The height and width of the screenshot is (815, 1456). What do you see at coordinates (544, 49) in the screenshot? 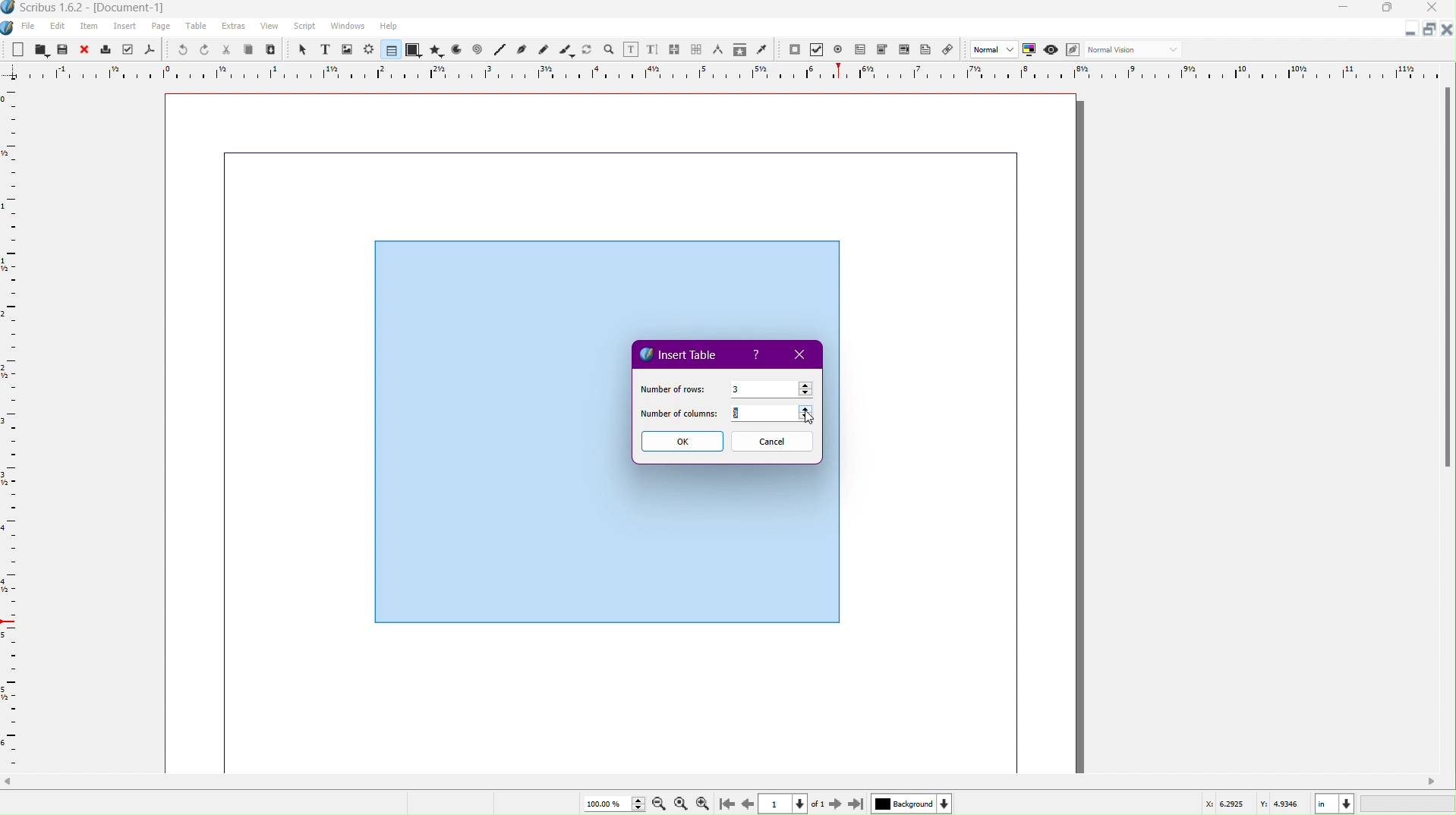
I see `Freehand Line` at bounding box center [544, 49].